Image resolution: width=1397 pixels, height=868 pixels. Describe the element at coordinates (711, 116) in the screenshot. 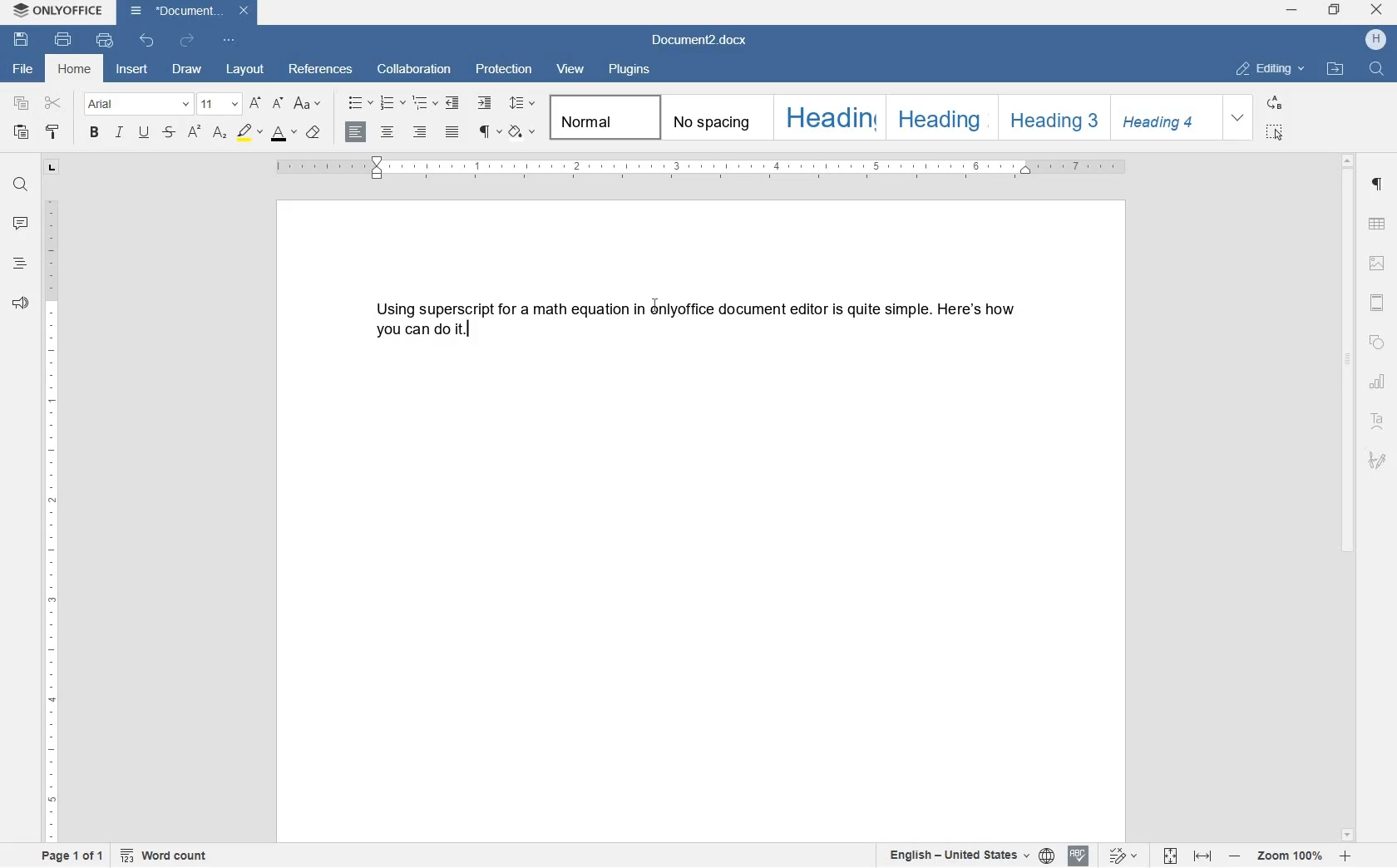

I see `No spacing` at that location.